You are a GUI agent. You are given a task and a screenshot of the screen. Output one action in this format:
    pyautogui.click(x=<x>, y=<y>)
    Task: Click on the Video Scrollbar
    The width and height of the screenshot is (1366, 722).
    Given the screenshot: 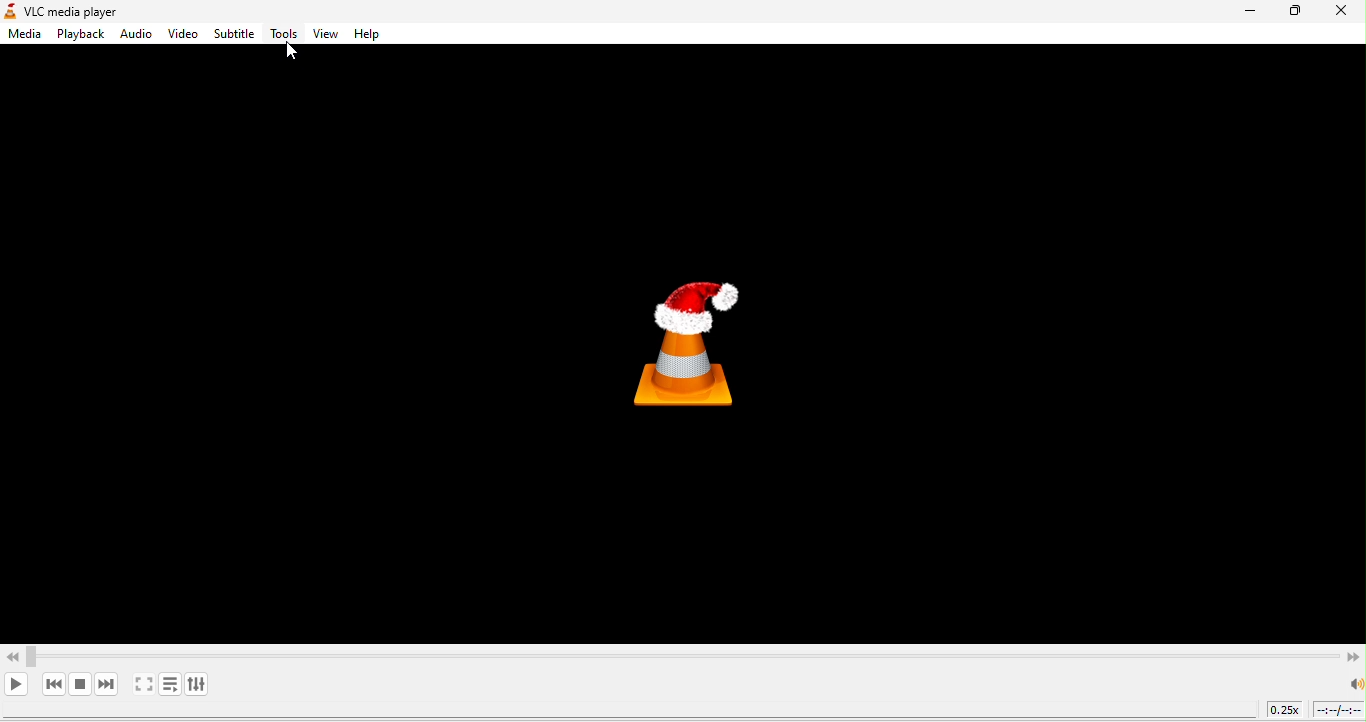 What is the action you would take?
    pyautogui.click(x=683, y=652)
    